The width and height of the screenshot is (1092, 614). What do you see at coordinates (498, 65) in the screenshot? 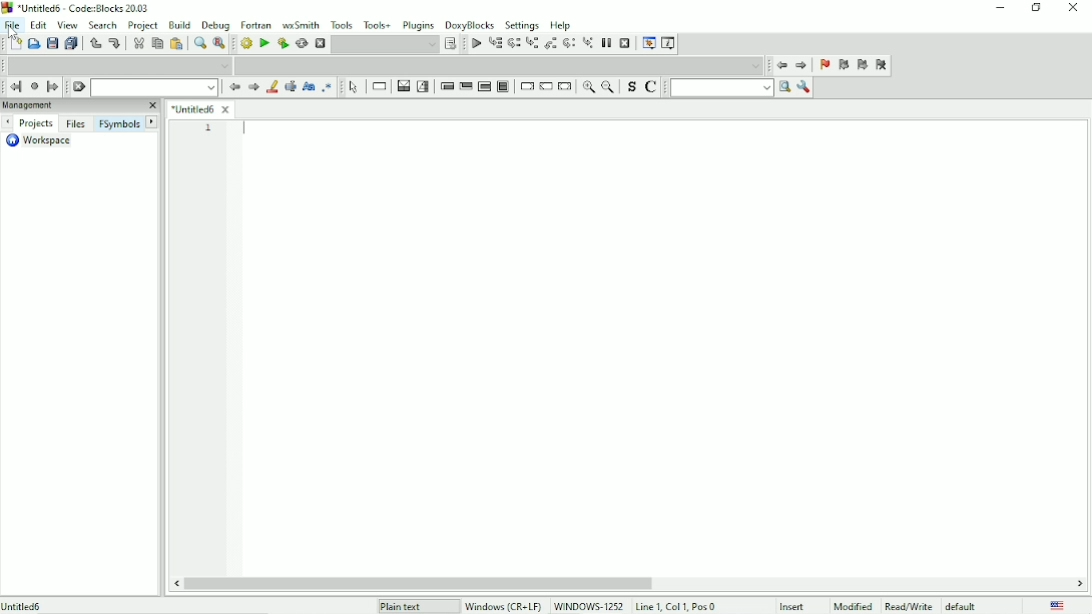
I see `Drop down` at bounding box center [498, 65].